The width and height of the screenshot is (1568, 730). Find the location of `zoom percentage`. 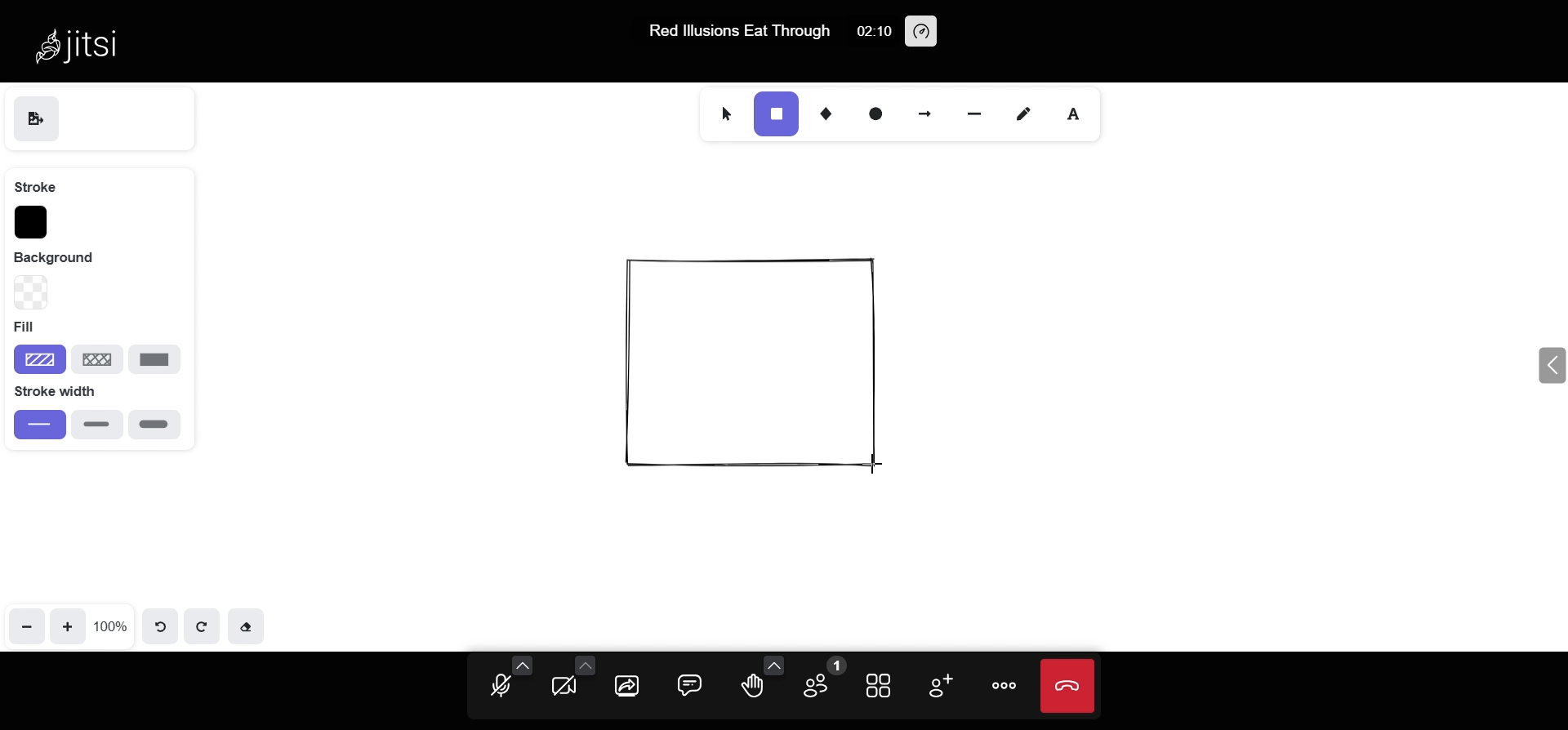

zoom percentage is located at coordinates (112, 624).